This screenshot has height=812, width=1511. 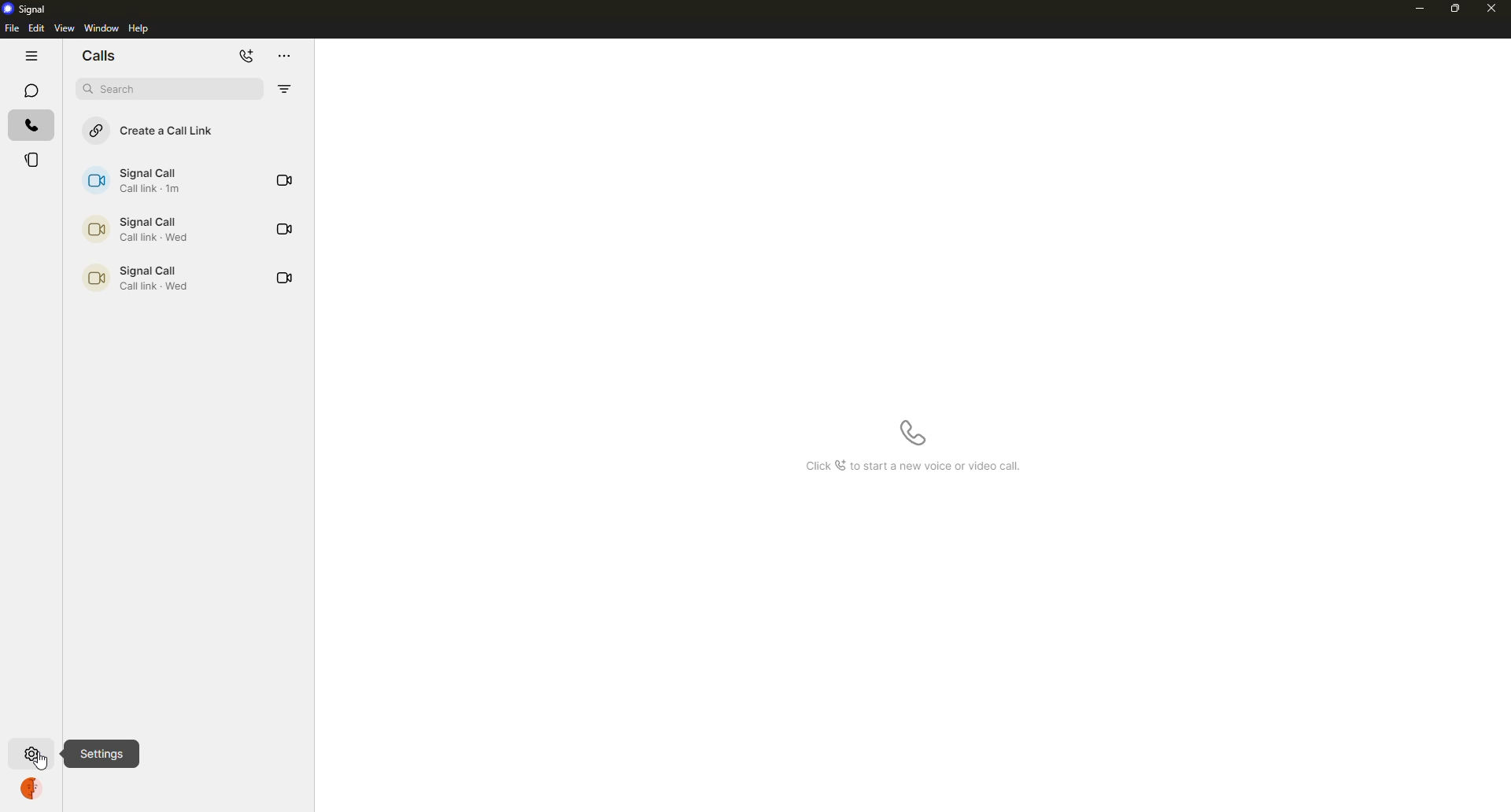 I want to click on maximize, so click(x=1453, y=9).